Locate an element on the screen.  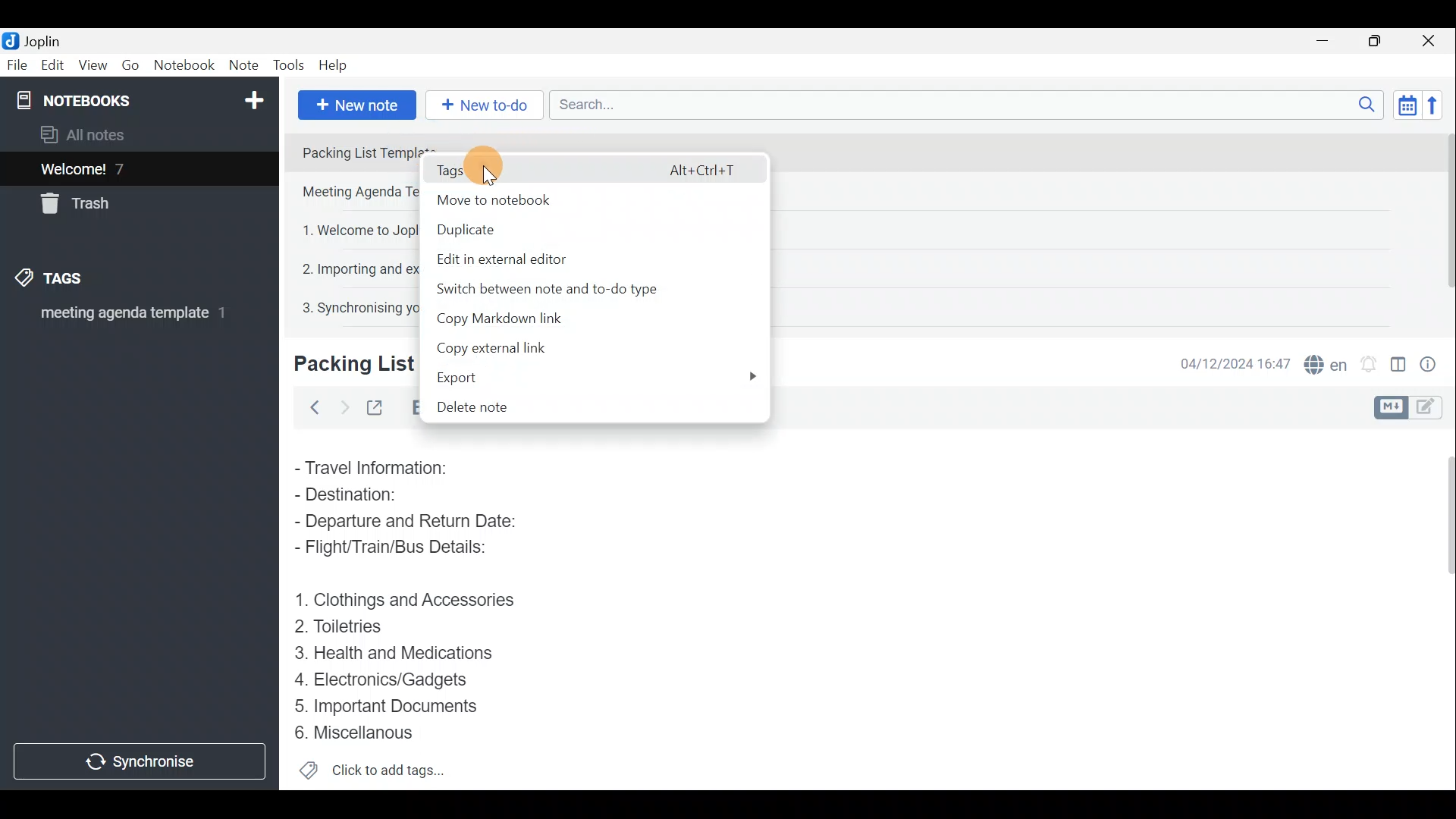
Go is located at coordinates (131, 65).